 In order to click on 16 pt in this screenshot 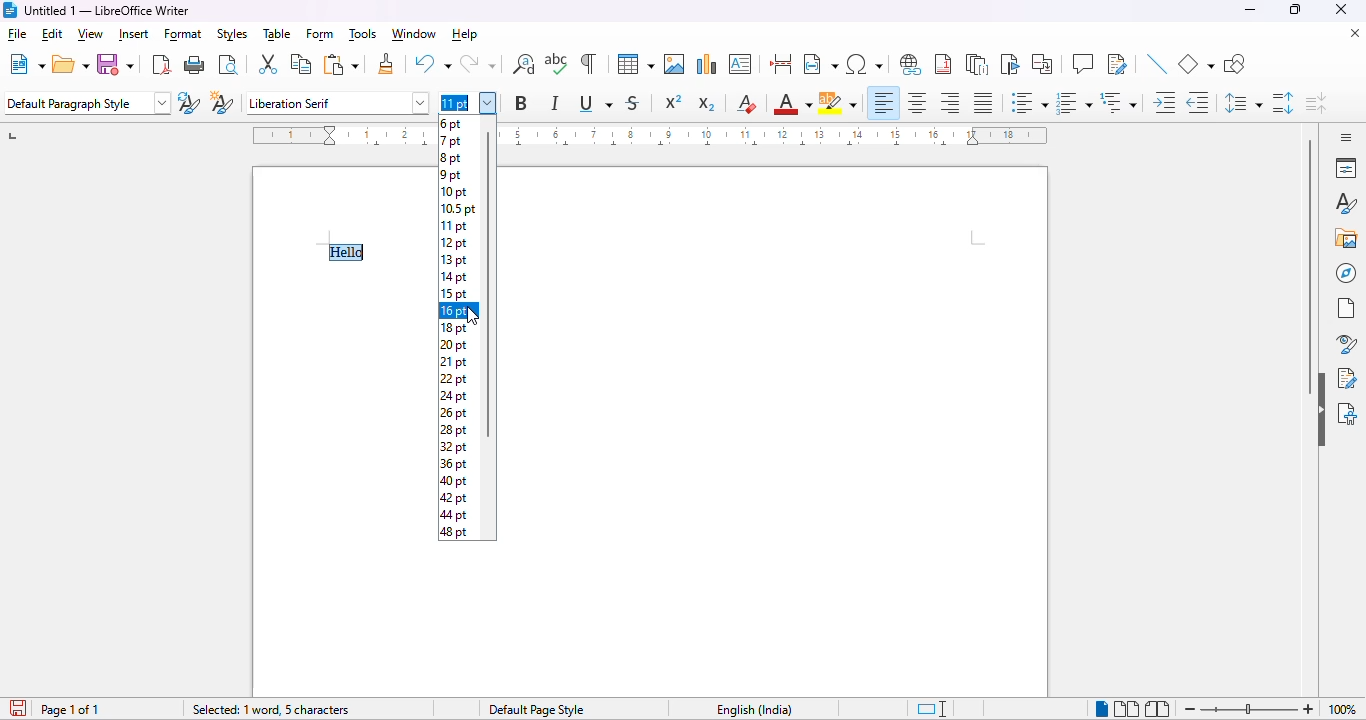, I will do `click(452, 312)`.